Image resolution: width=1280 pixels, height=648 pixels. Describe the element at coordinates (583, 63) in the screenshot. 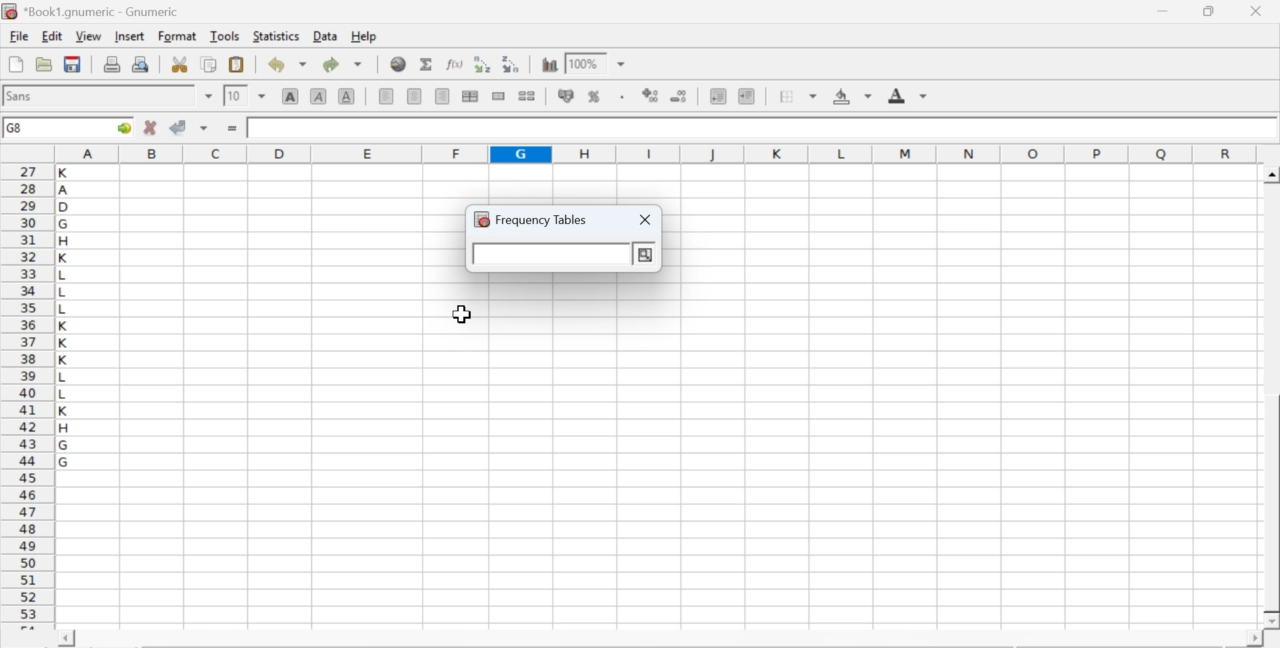

I see `100%` at that location.